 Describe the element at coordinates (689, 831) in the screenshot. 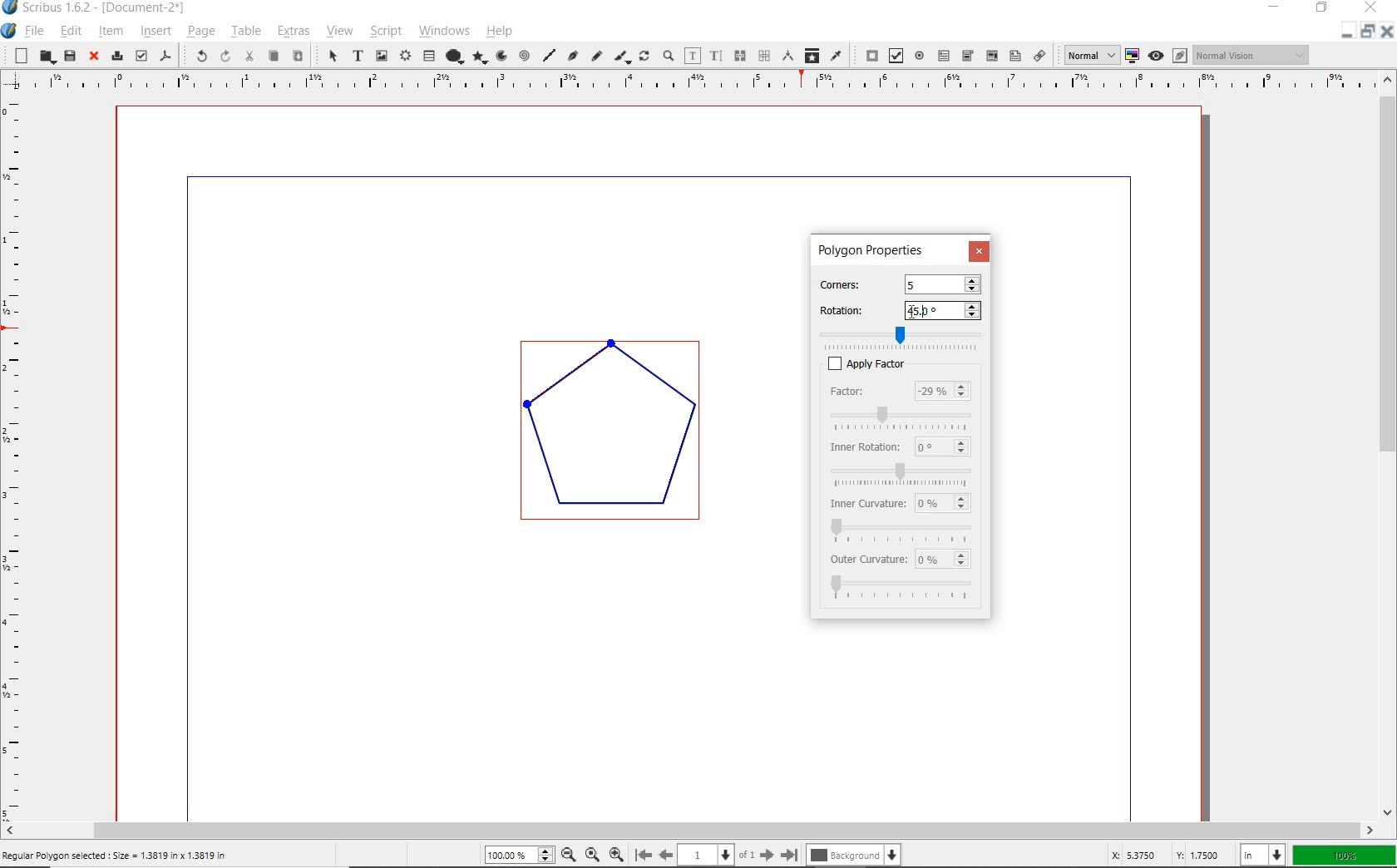

I see `scrollbar` at that location.